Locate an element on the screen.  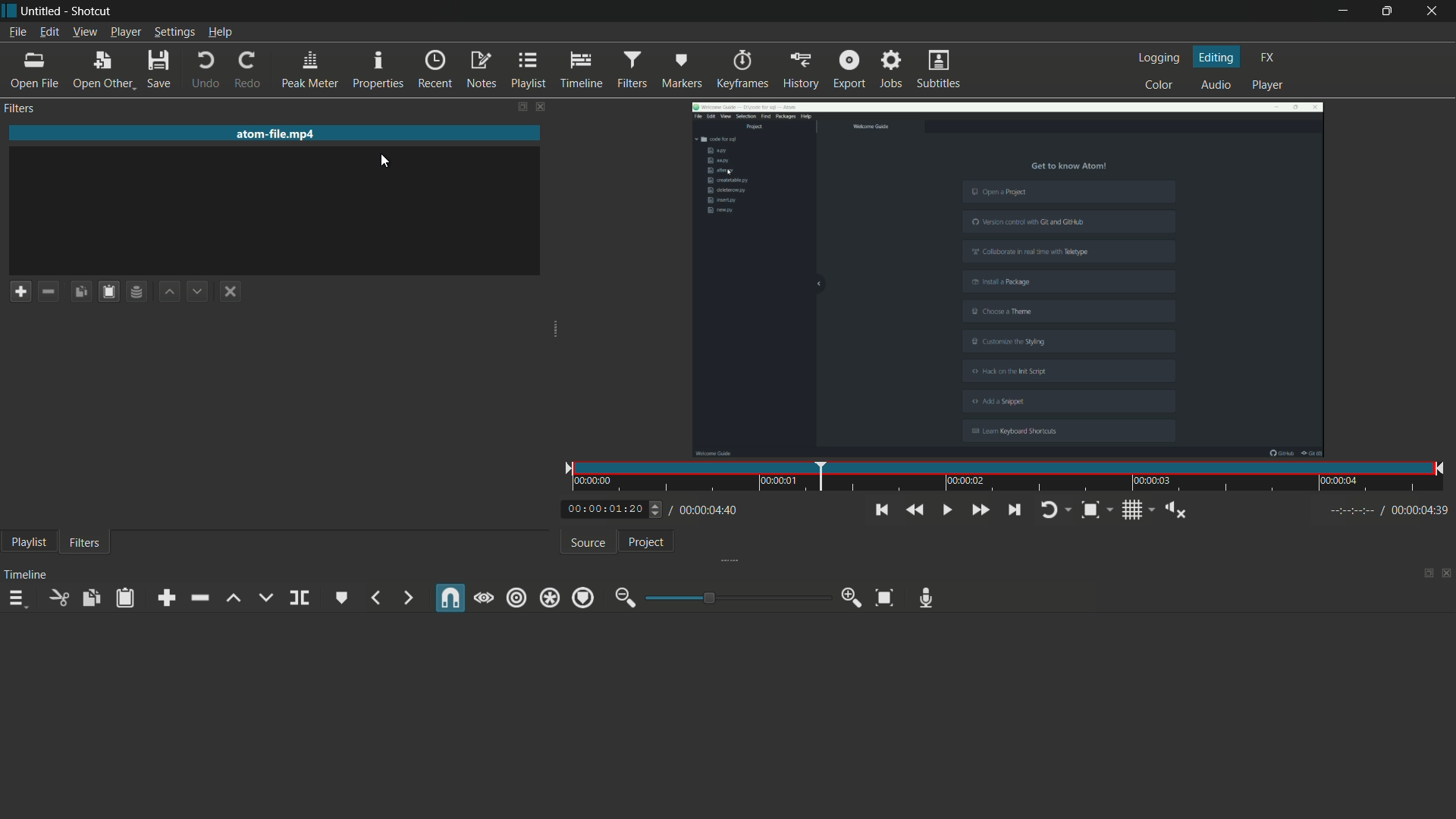
peak meter is located at coordinates (309, 70).